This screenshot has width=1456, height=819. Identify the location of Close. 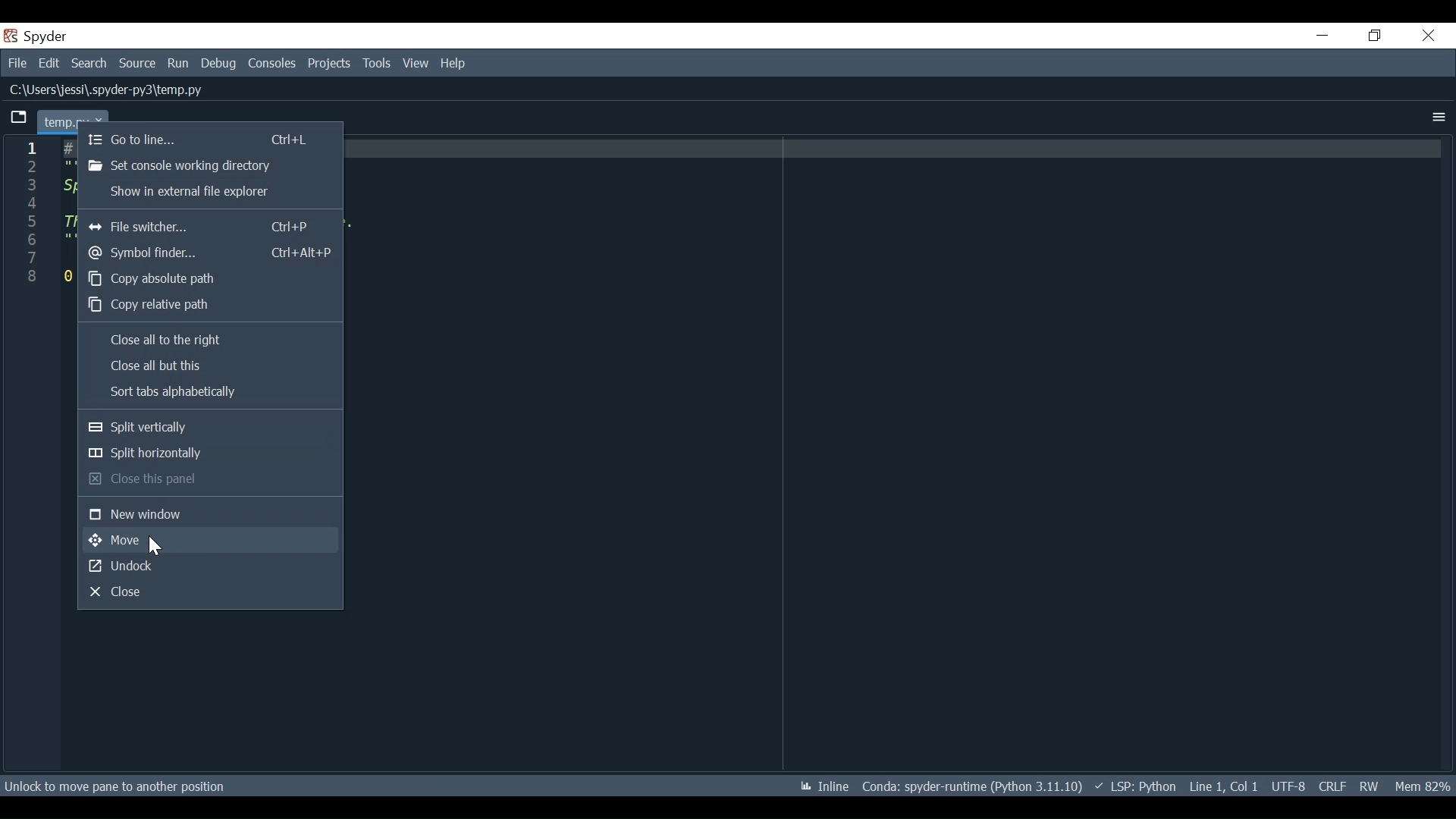
(1430, 35).